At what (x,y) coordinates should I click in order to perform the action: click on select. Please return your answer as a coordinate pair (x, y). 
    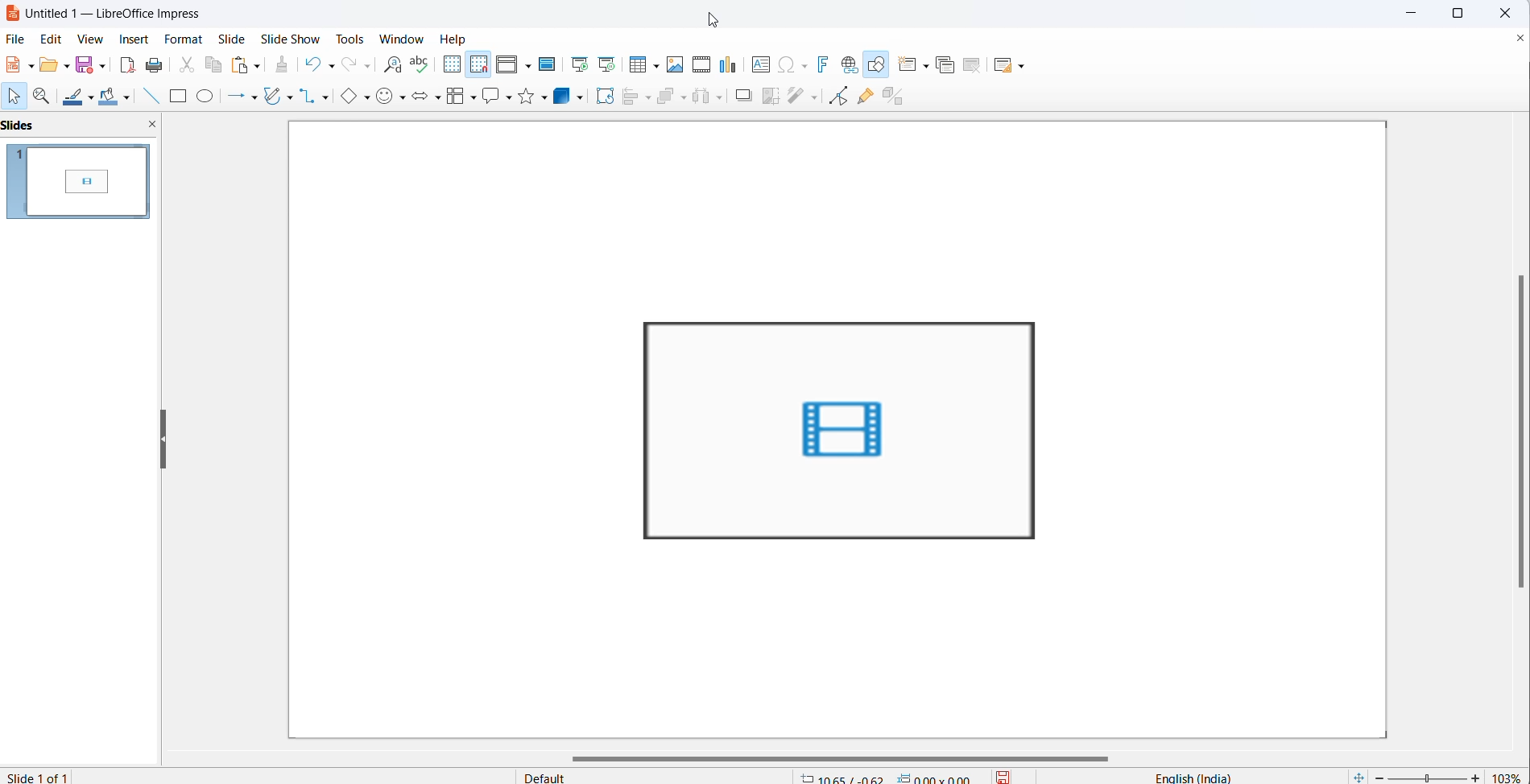
    Looking at the image, I should click on (16, 97).